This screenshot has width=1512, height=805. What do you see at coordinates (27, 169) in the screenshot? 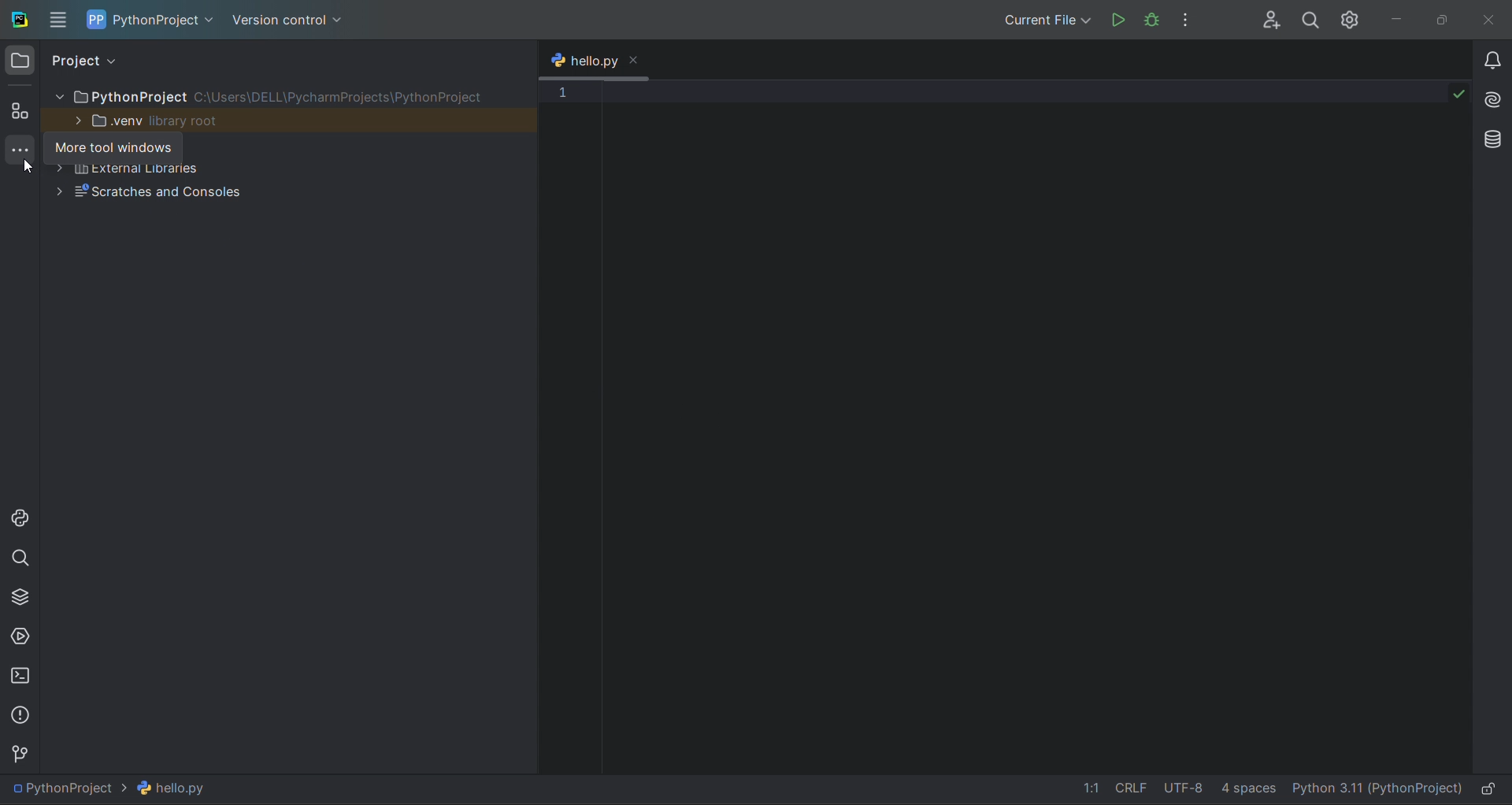
I see `cursor` at bounding box center [27, 169].